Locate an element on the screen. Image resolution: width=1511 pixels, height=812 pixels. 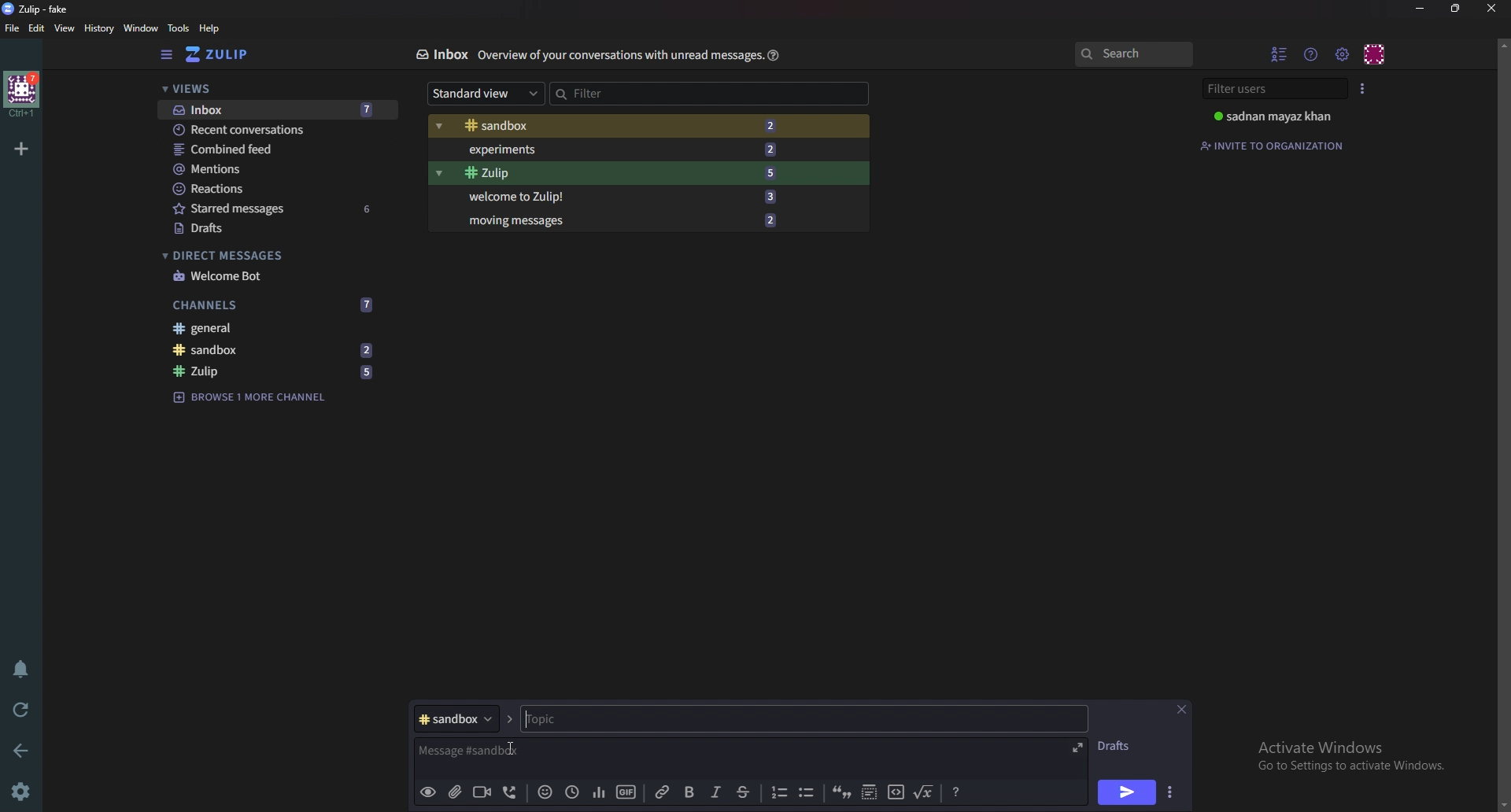
Recent conversations is located at coordinates (279, 129).